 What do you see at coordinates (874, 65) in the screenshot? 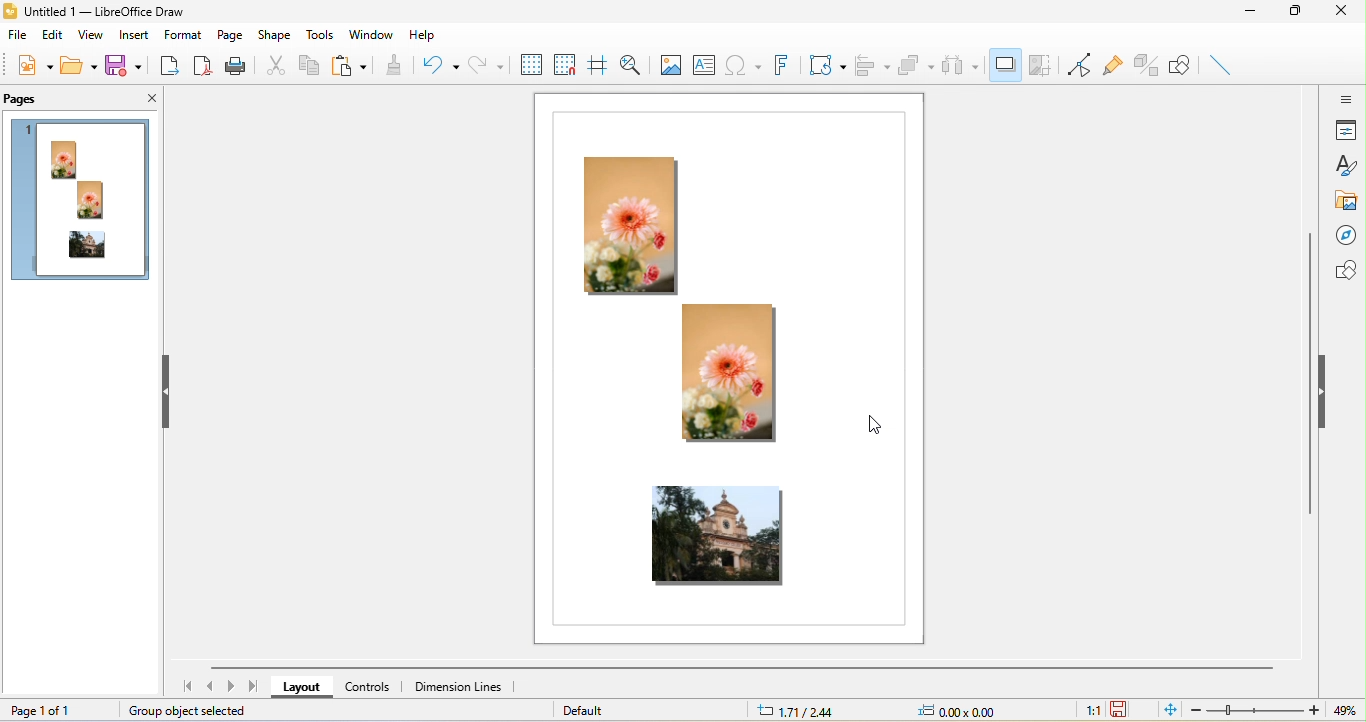
I see `align object` at bounding box center [874, 65].